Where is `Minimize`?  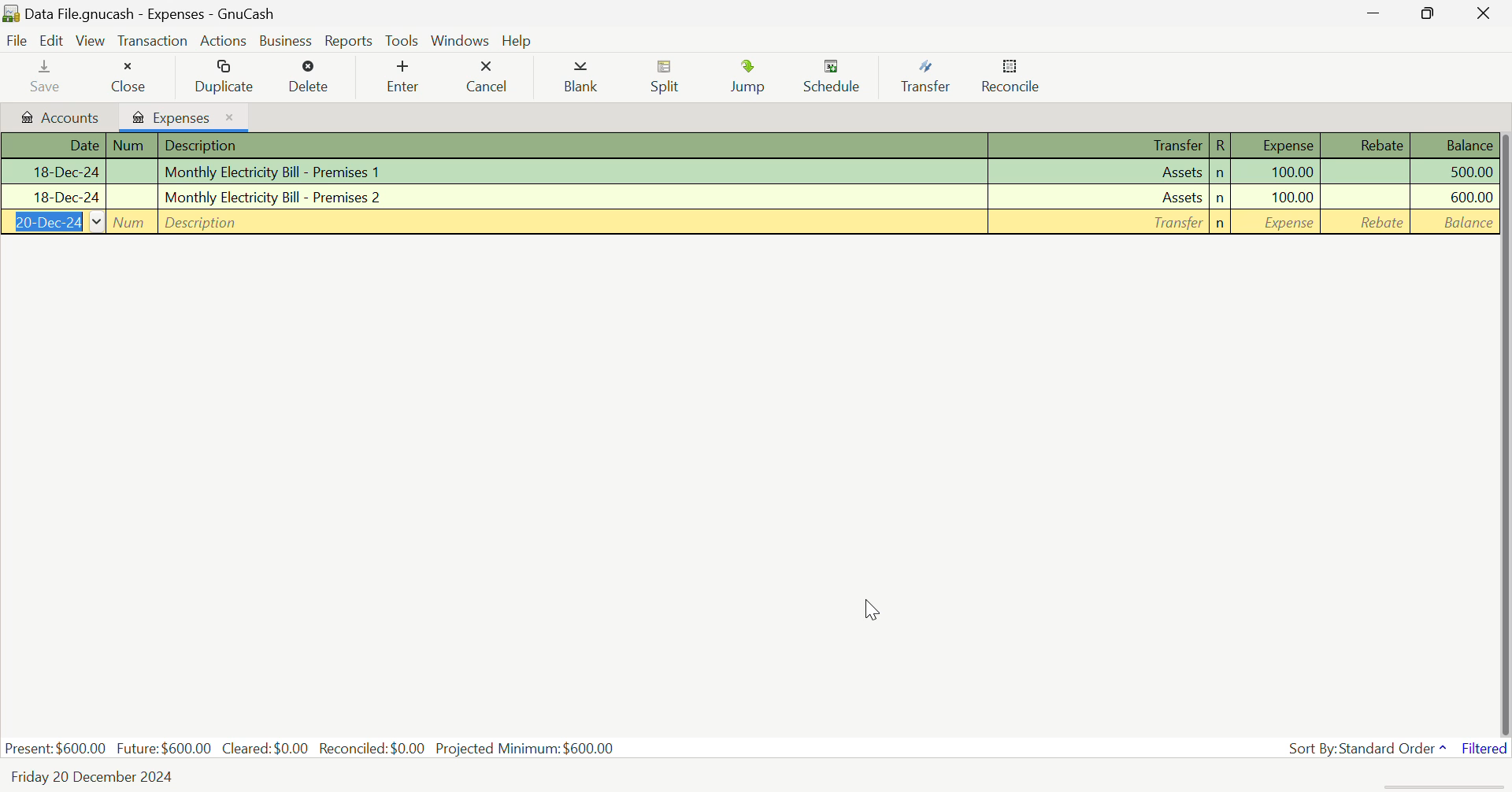
Minimize is located at coordinates (1431, 15).